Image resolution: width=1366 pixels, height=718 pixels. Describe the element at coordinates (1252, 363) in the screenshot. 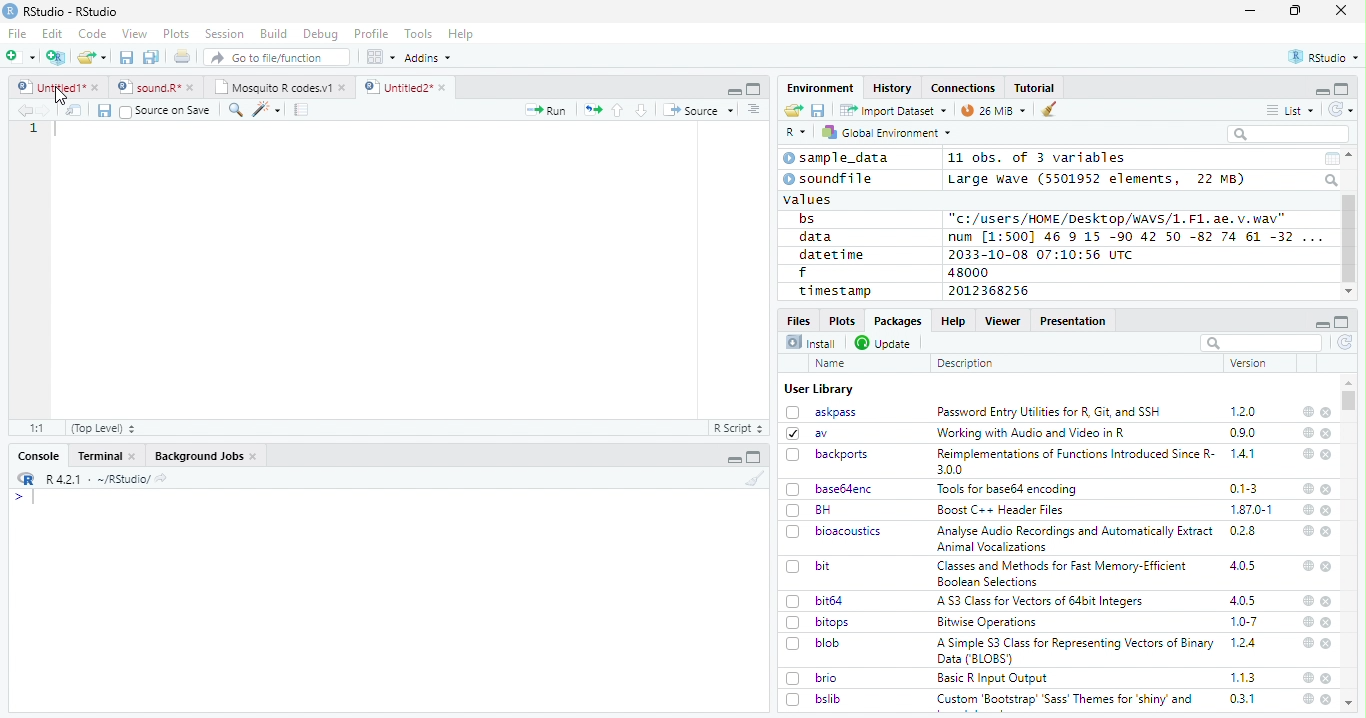

I see `Version` at that location.